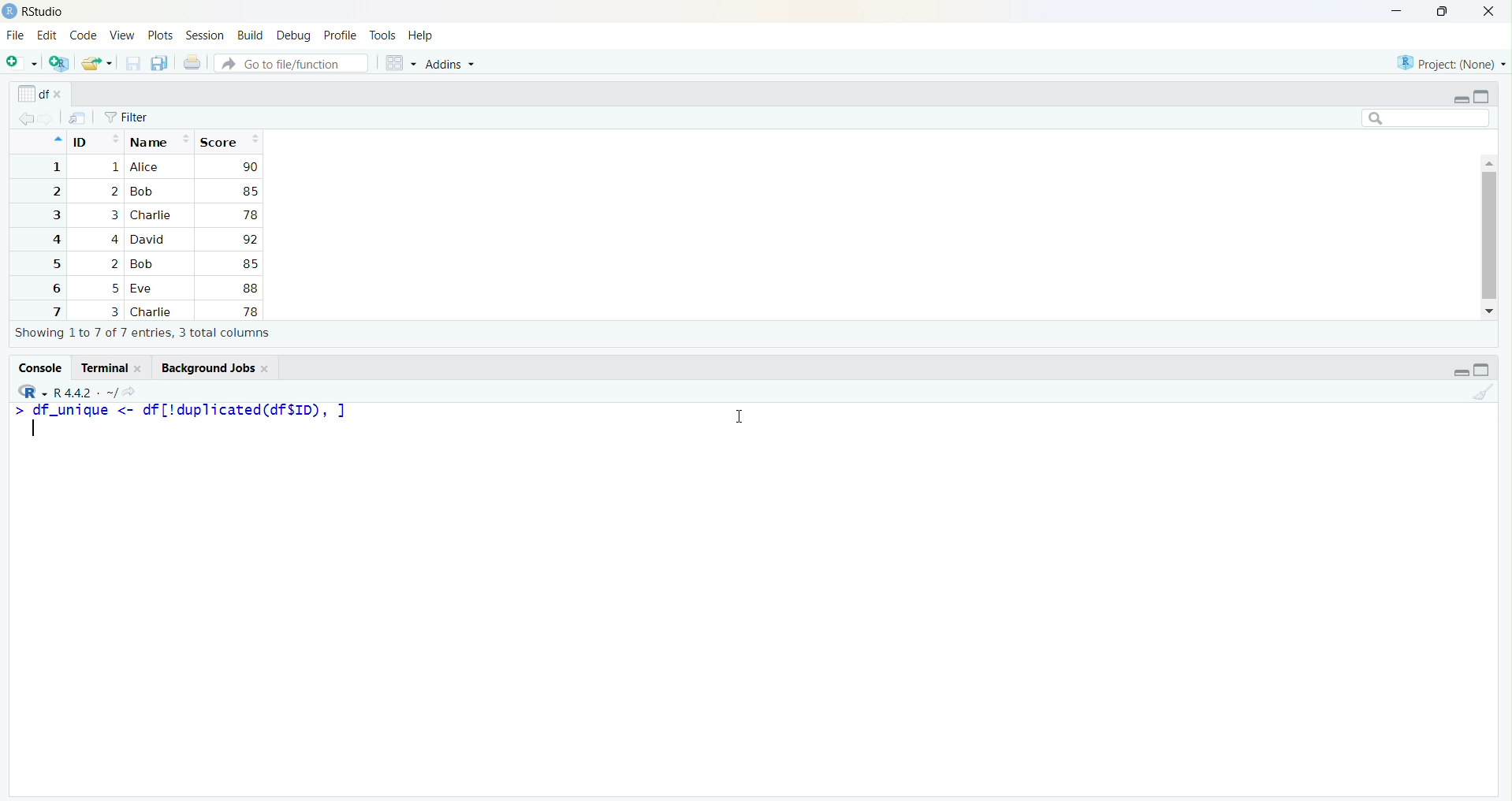 This screenshot has width=1512, height=801. I want to click on file search, so click(293, 62).